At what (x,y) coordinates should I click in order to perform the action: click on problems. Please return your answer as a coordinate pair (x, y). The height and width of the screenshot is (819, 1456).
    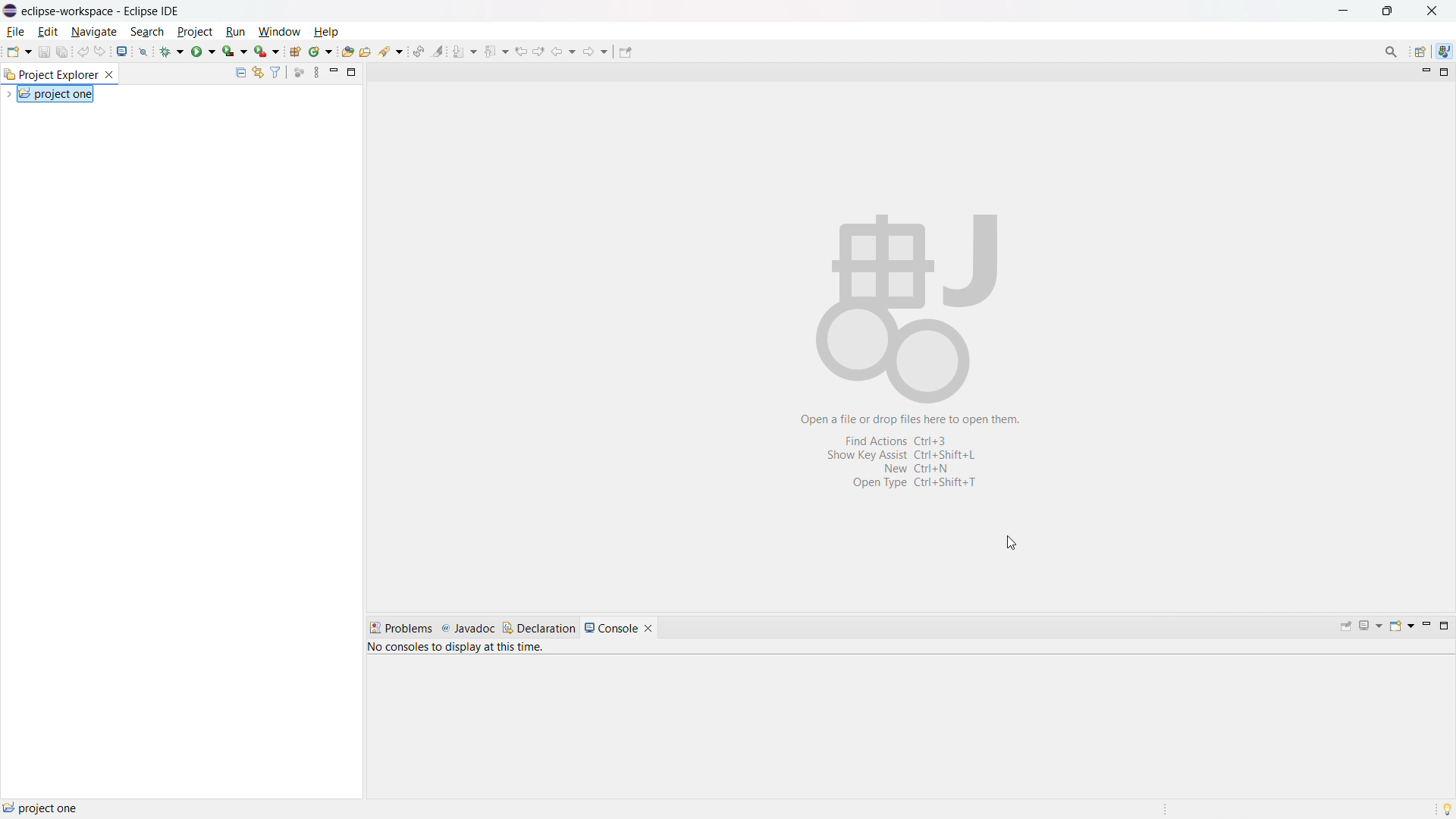
    Looking at the image, I should click on (400, 629).